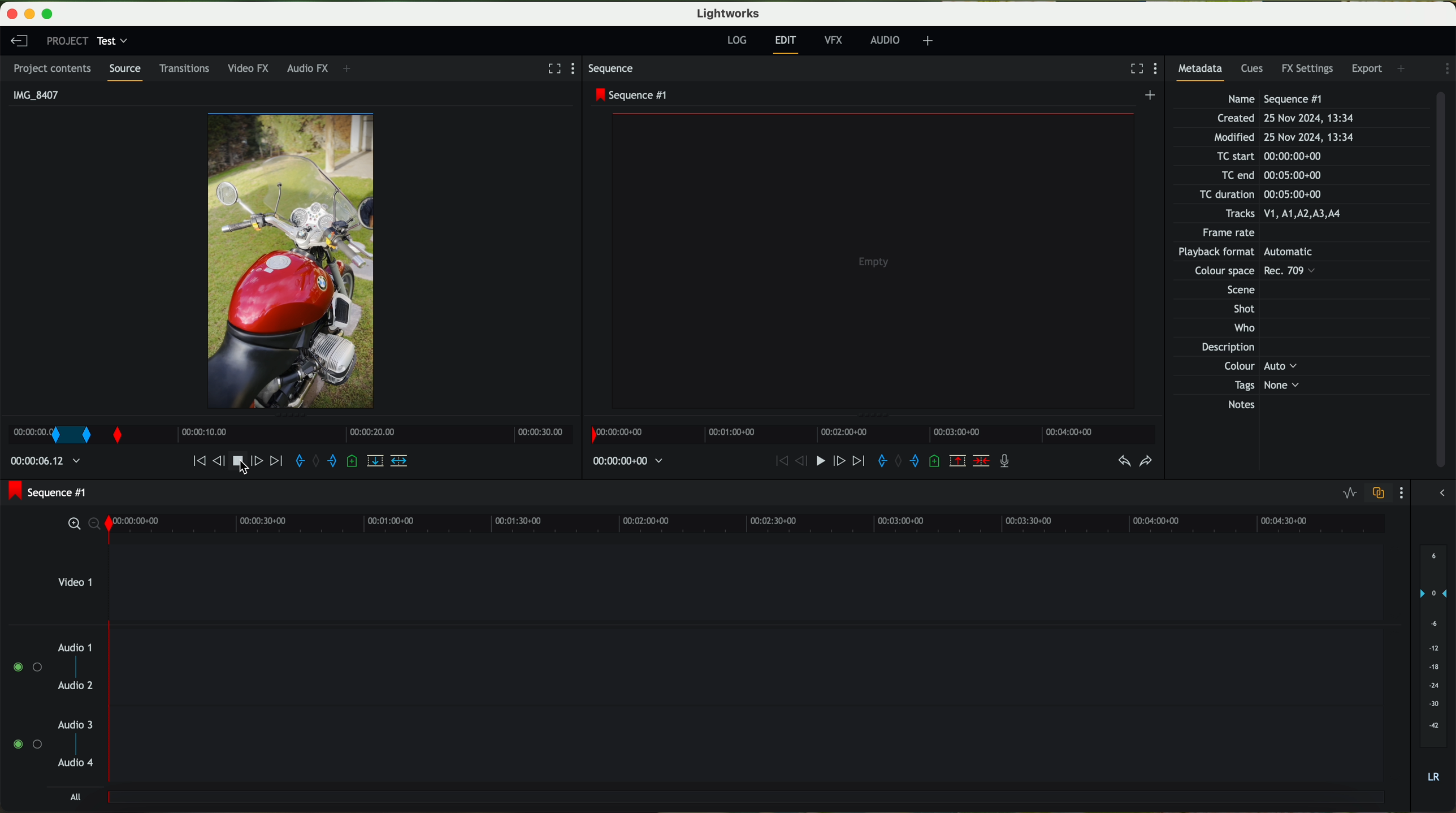  Describe the element at coordinates (738, 41) in the screenshot. I see `log` at that location.